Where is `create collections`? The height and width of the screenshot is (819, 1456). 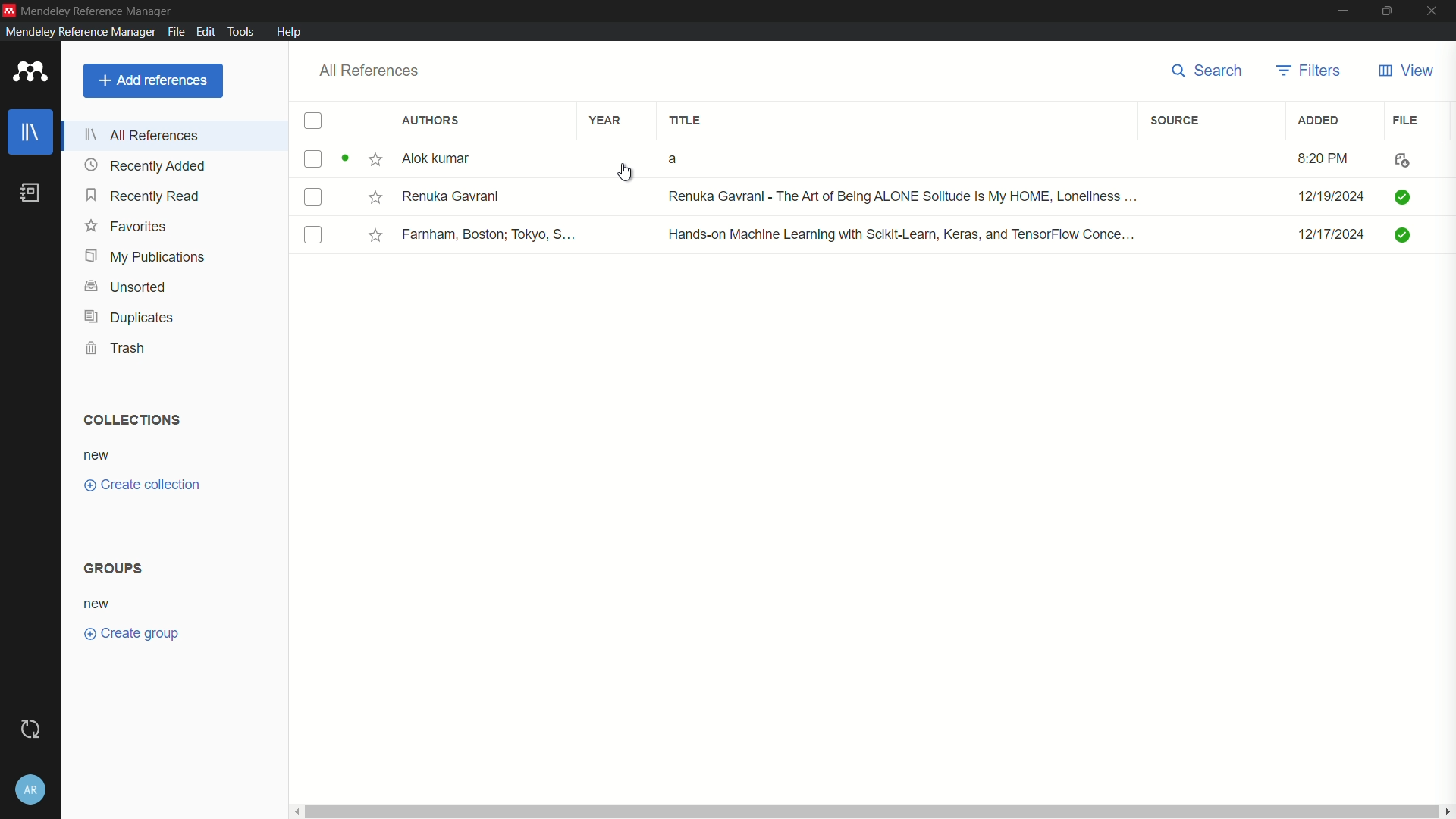
create collections is located at coordinates (142, 485).